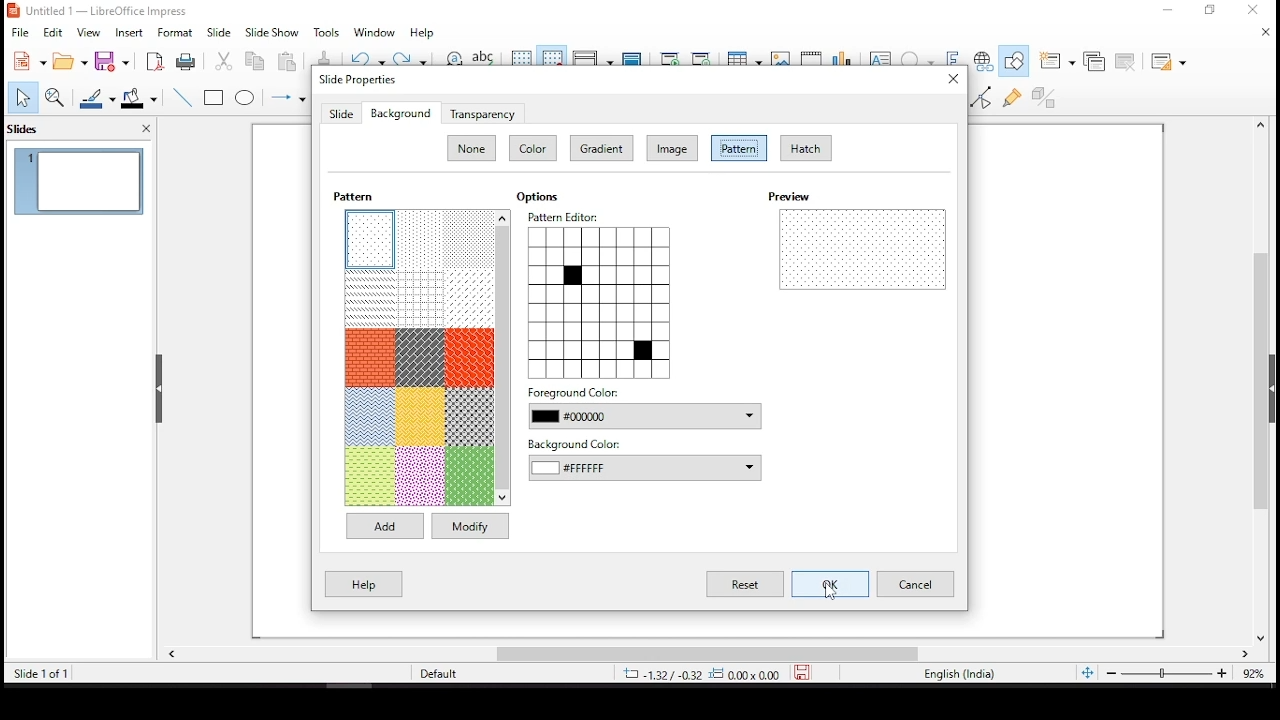 The image size is (1280, 720). I want to click on color, so click(531, 147).